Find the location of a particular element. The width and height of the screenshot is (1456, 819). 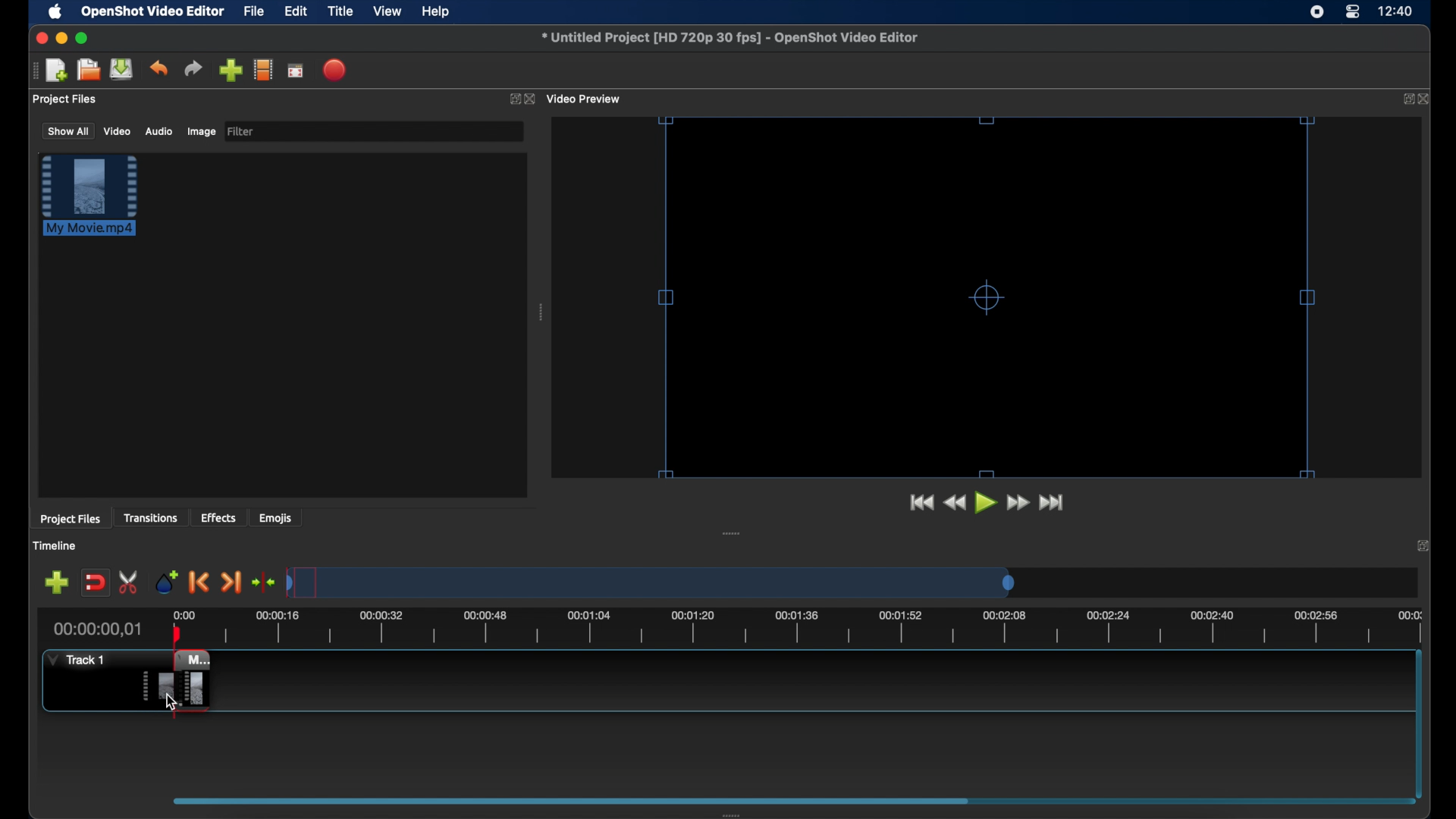

time is located at coordinates (1397, 12).